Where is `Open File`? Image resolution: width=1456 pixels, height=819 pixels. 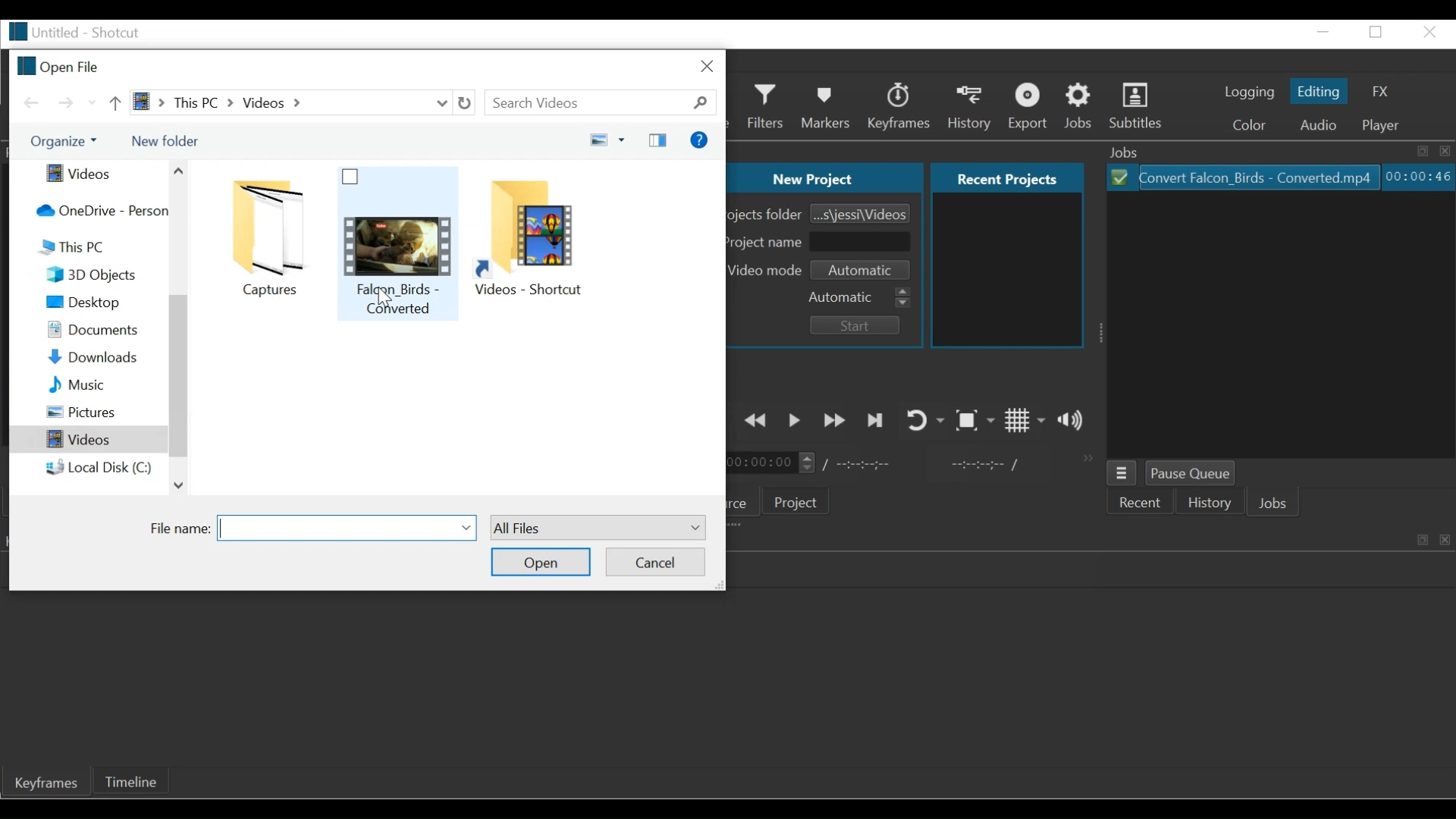 Open File is located at coordinates (60, 65).